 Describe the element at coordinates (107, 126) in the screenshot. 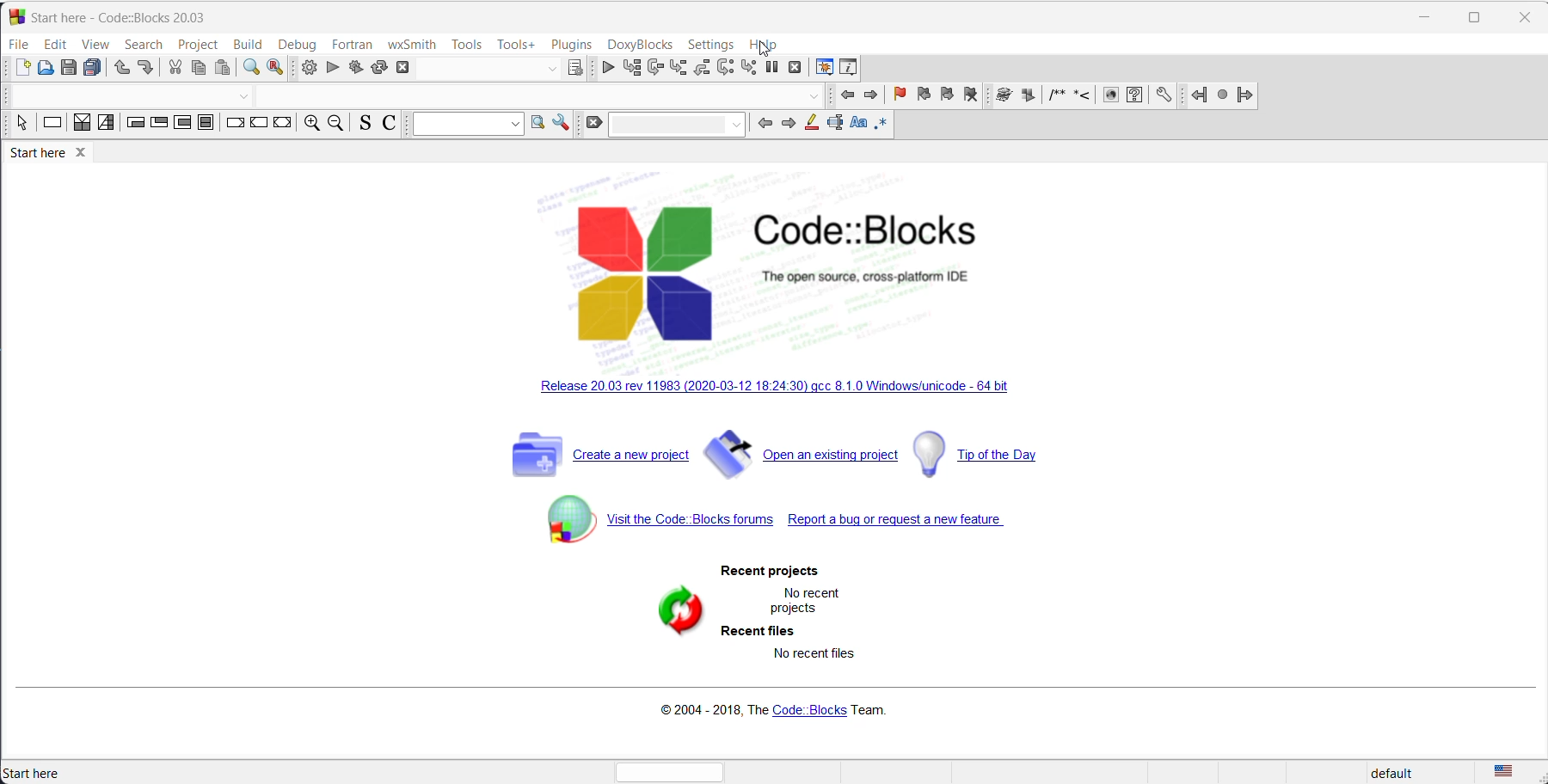

I see `selection` at that location.